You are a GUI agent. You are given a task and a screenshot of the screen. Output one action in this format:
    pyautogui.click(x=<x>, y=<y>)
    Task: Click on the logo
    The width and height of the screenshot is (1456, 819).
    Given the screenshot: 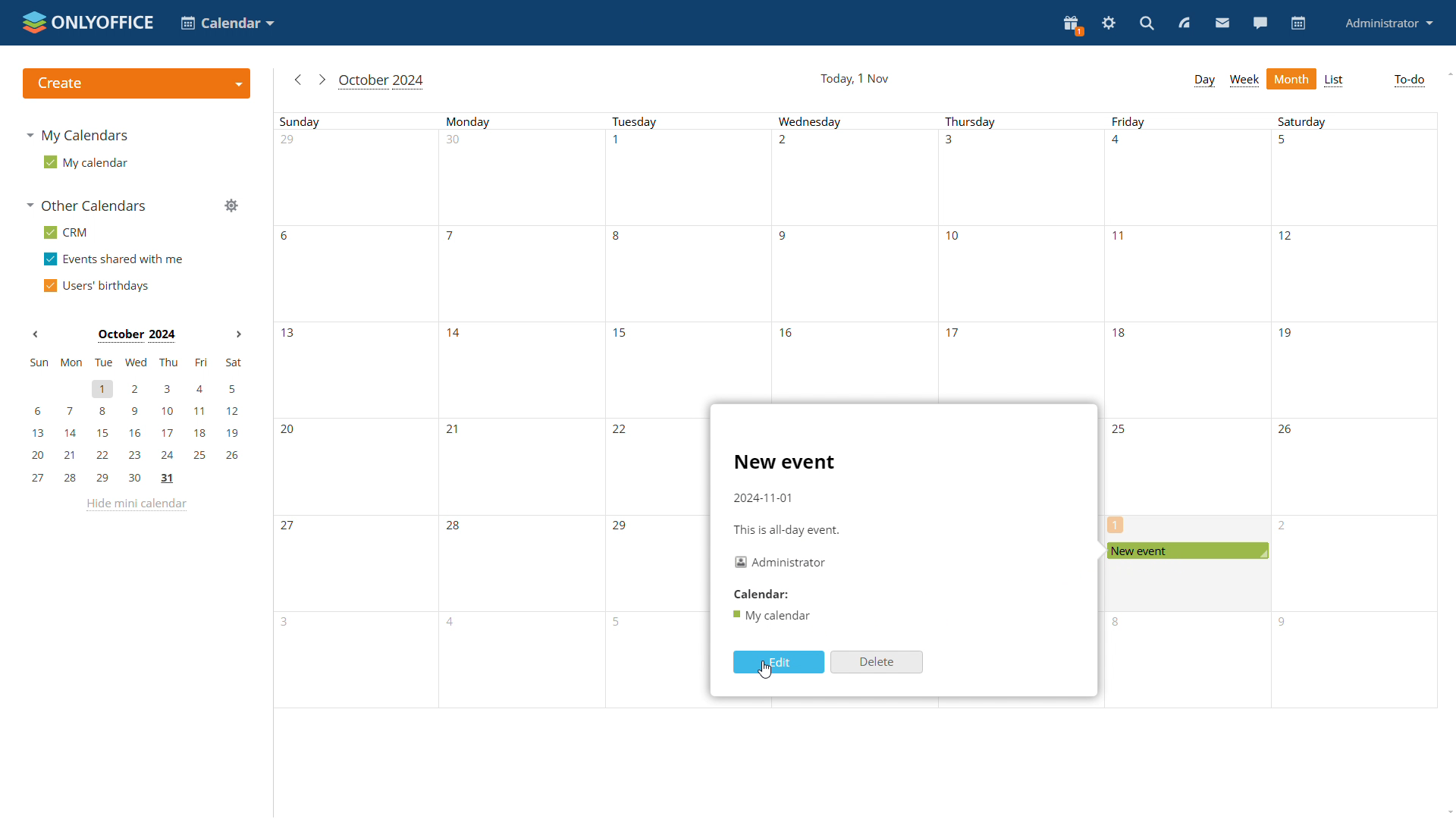 What is the action you would take?
    pyautogui.click(x=88, y=21)
    